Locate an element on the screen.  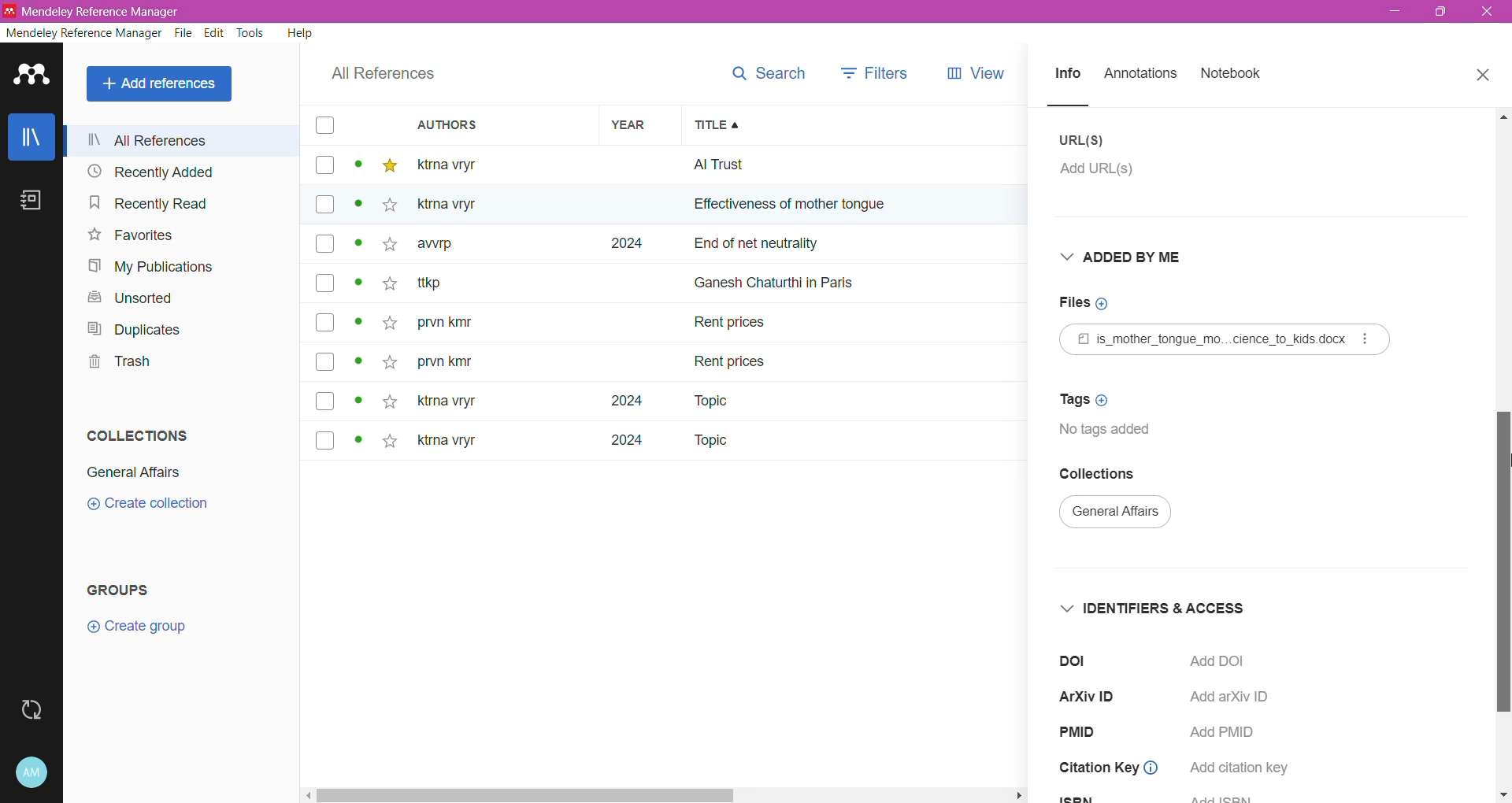
Current Collection Name is located at coordinates (1117, 514).